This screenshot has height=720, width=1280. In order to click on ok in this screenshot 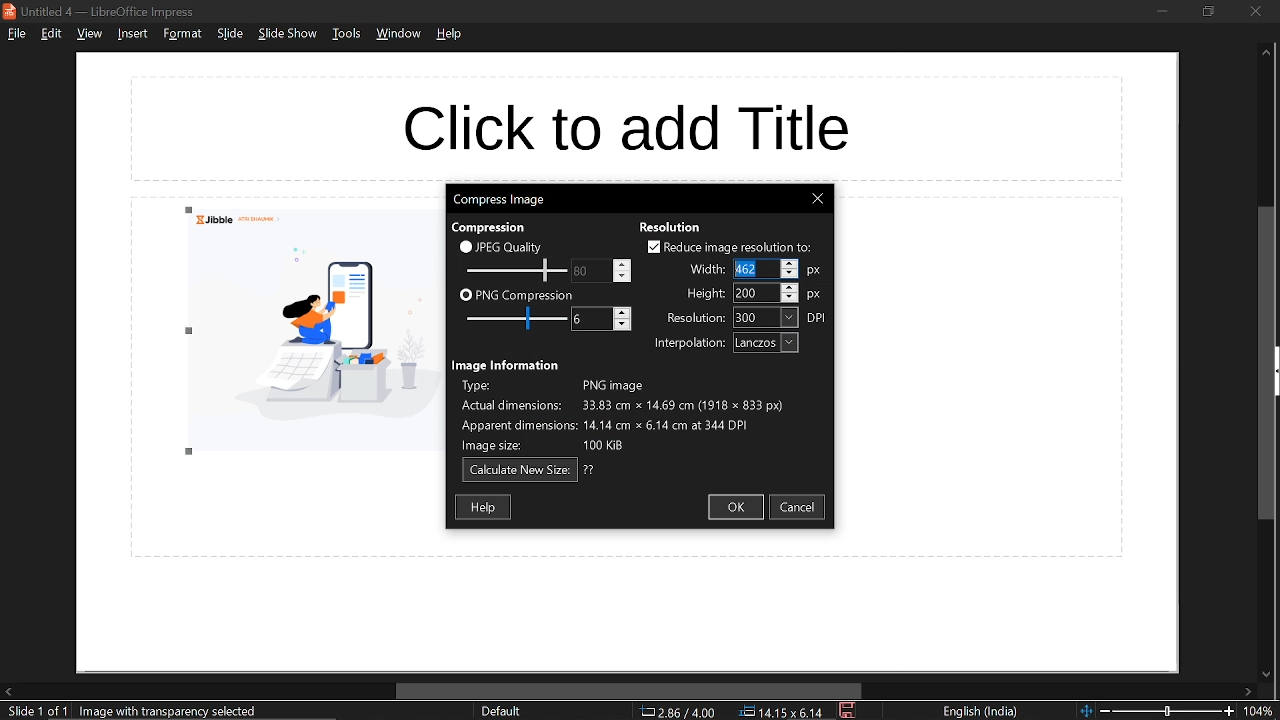, I will do `click(735, 507)`.